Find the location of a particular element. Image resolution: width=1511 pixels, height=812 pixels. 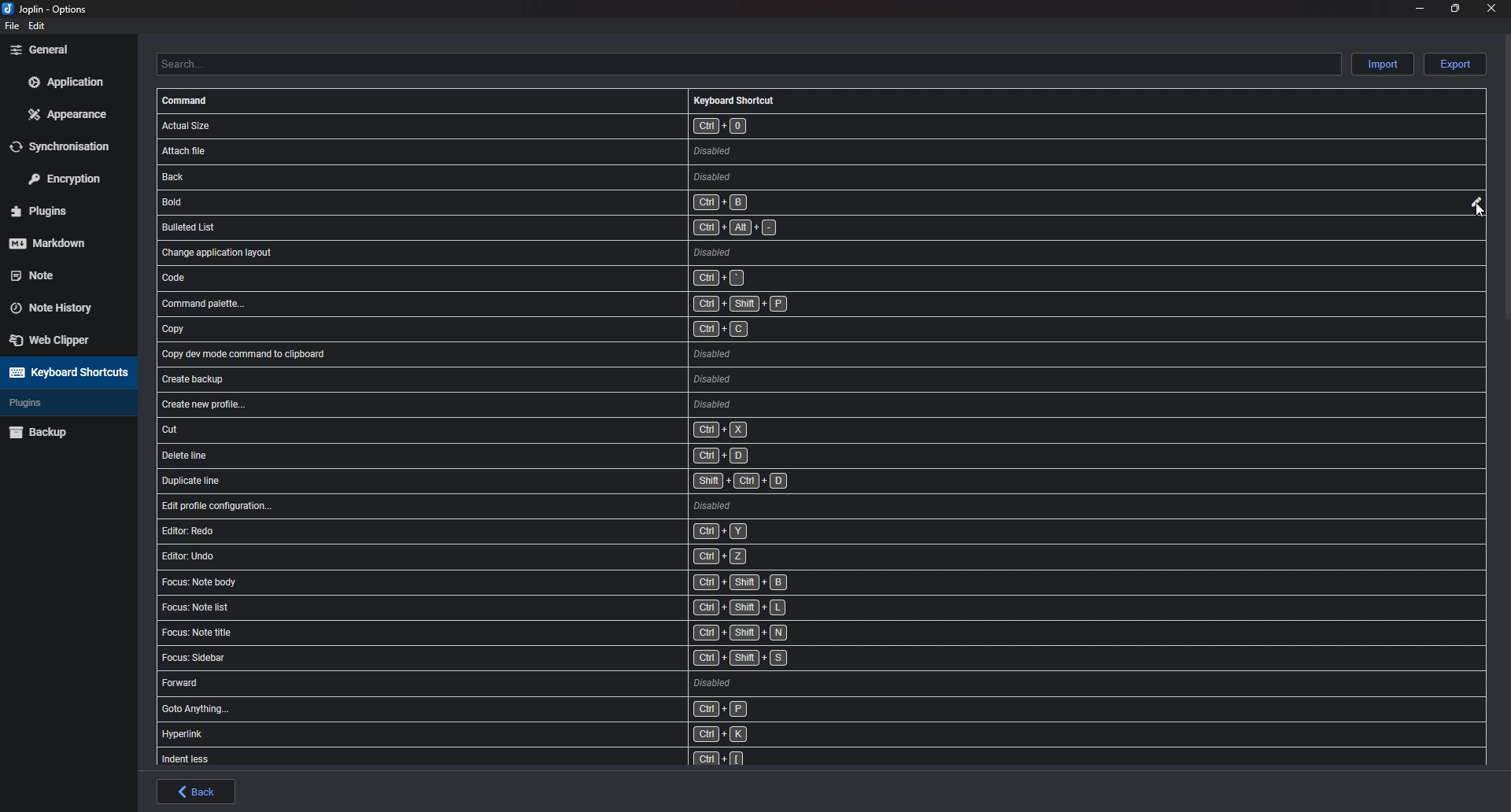

shortcut is located at coordinates (529, 178).